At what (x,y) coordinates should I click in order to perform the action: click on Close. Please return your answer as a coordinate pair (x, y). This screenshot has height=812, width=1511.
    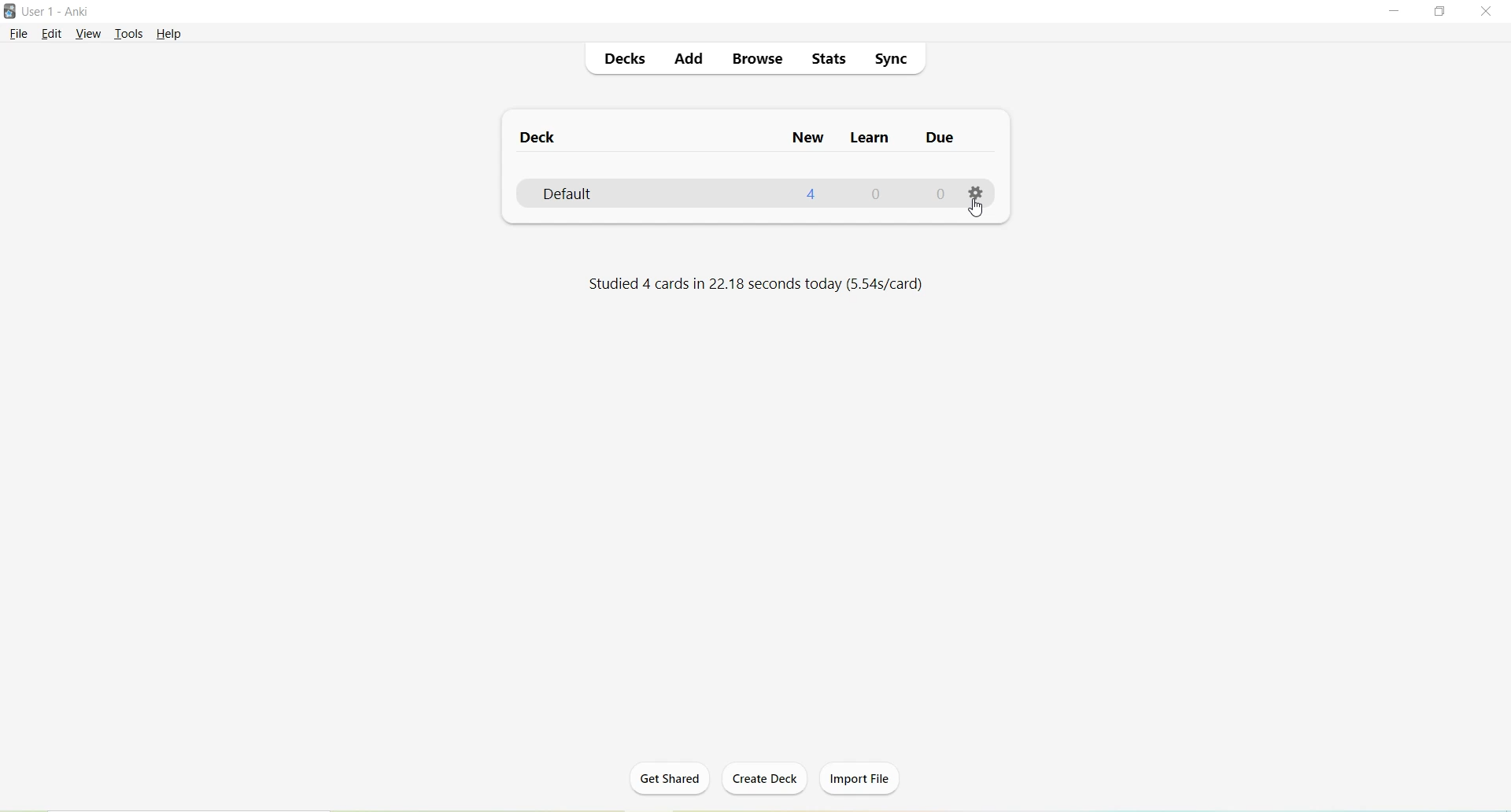
    Looking at the image, I should click on (1484, 14).